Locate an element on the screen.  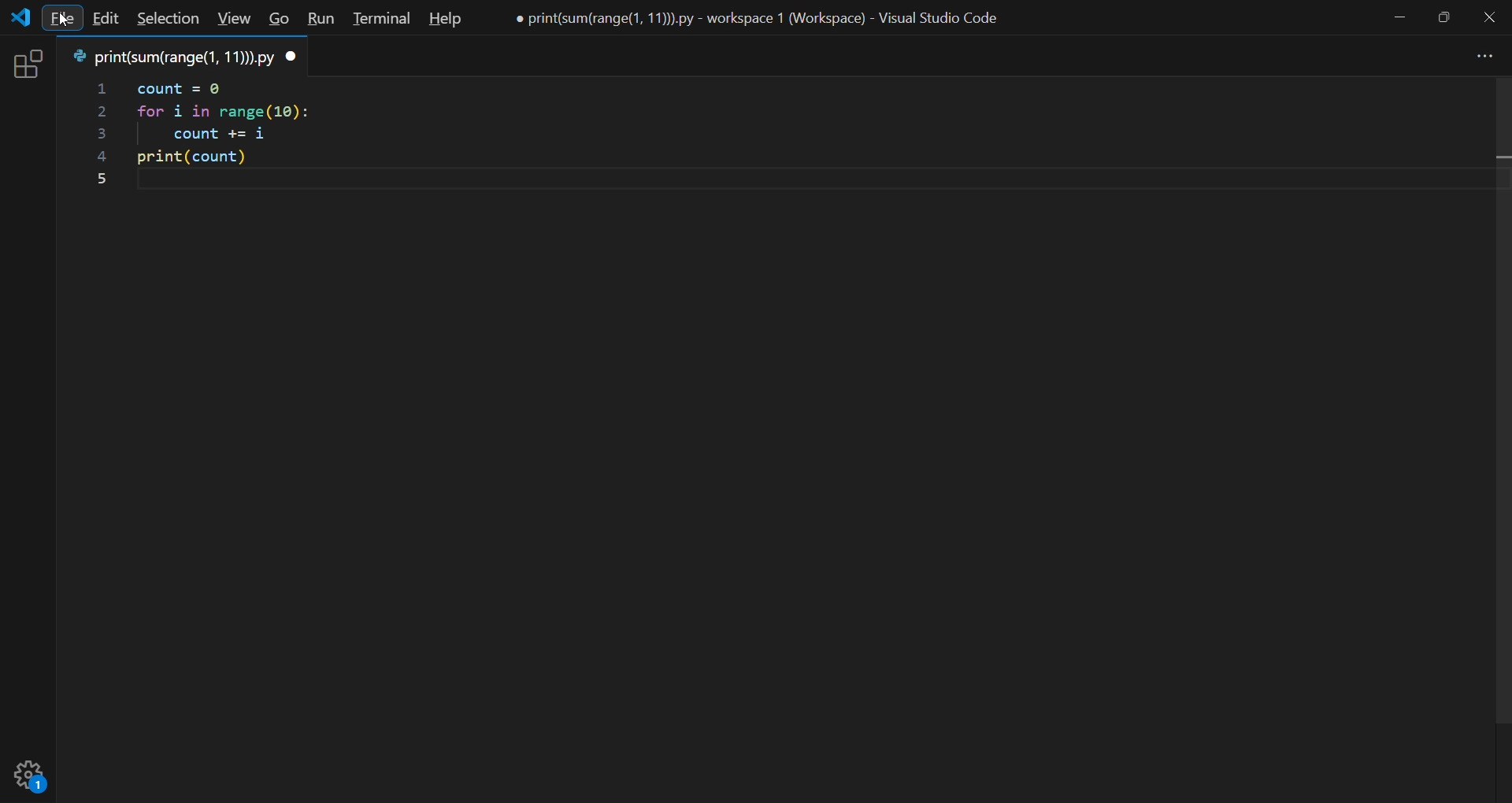
run is located at coordinates (319, 19).